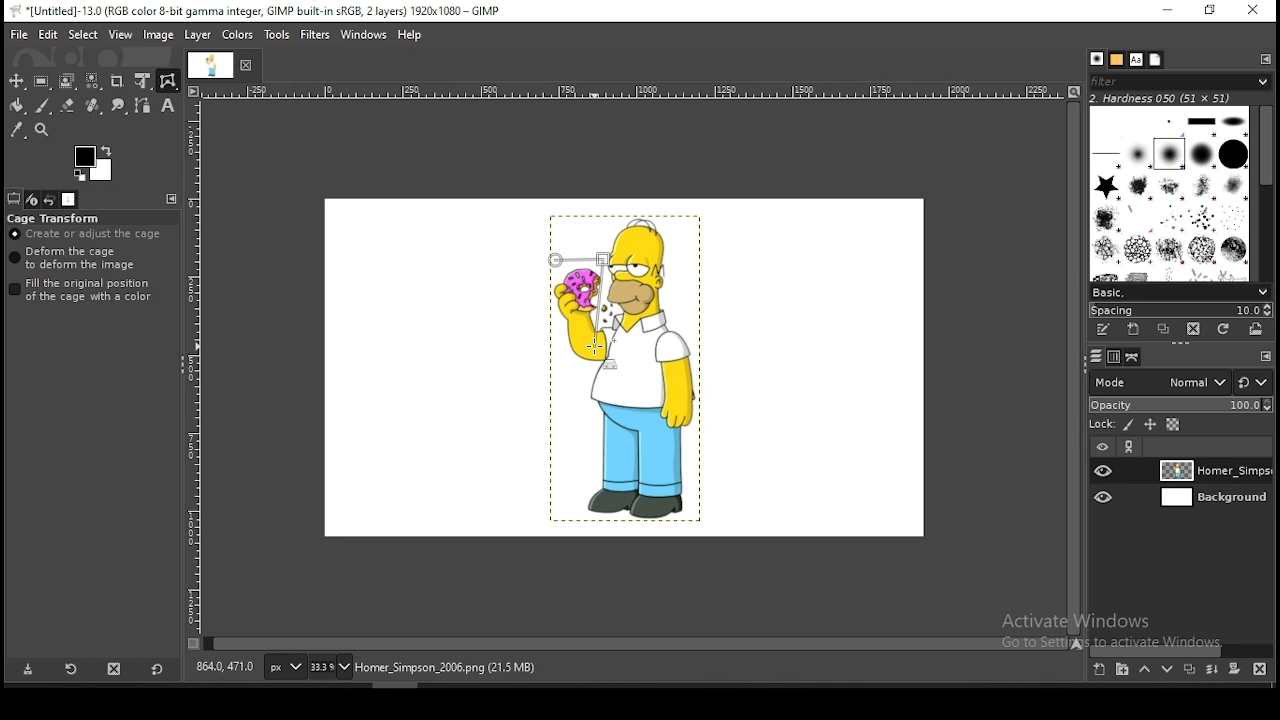 Image resolution: width=1280 pixels, height=720 pixels. I want to click on configure this tab, so click(1267, 59).